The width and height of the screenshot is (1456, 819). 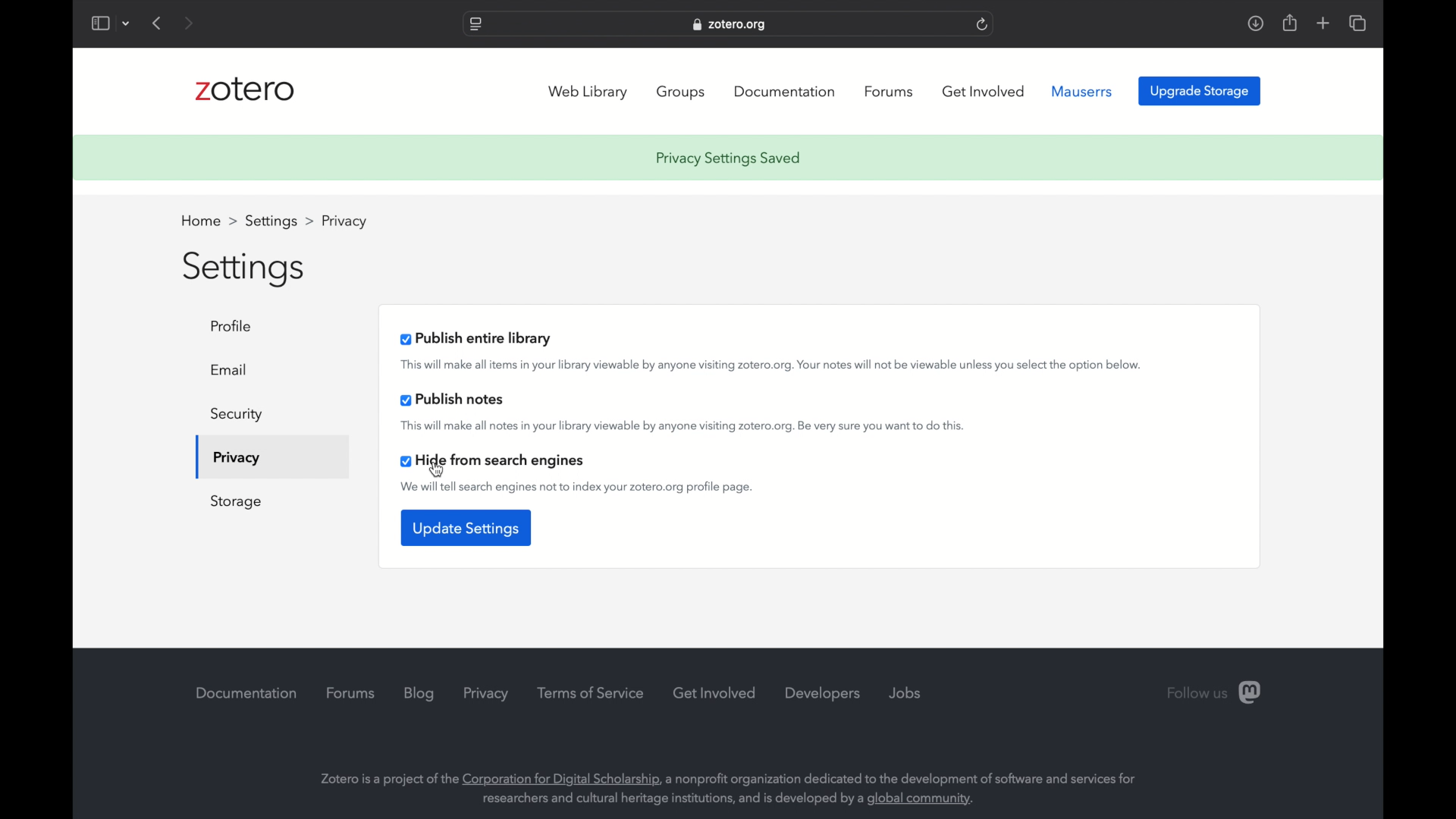 I want to click on we will tell search engines not to index your zotero.org profile page, so click(x=576, y=486).